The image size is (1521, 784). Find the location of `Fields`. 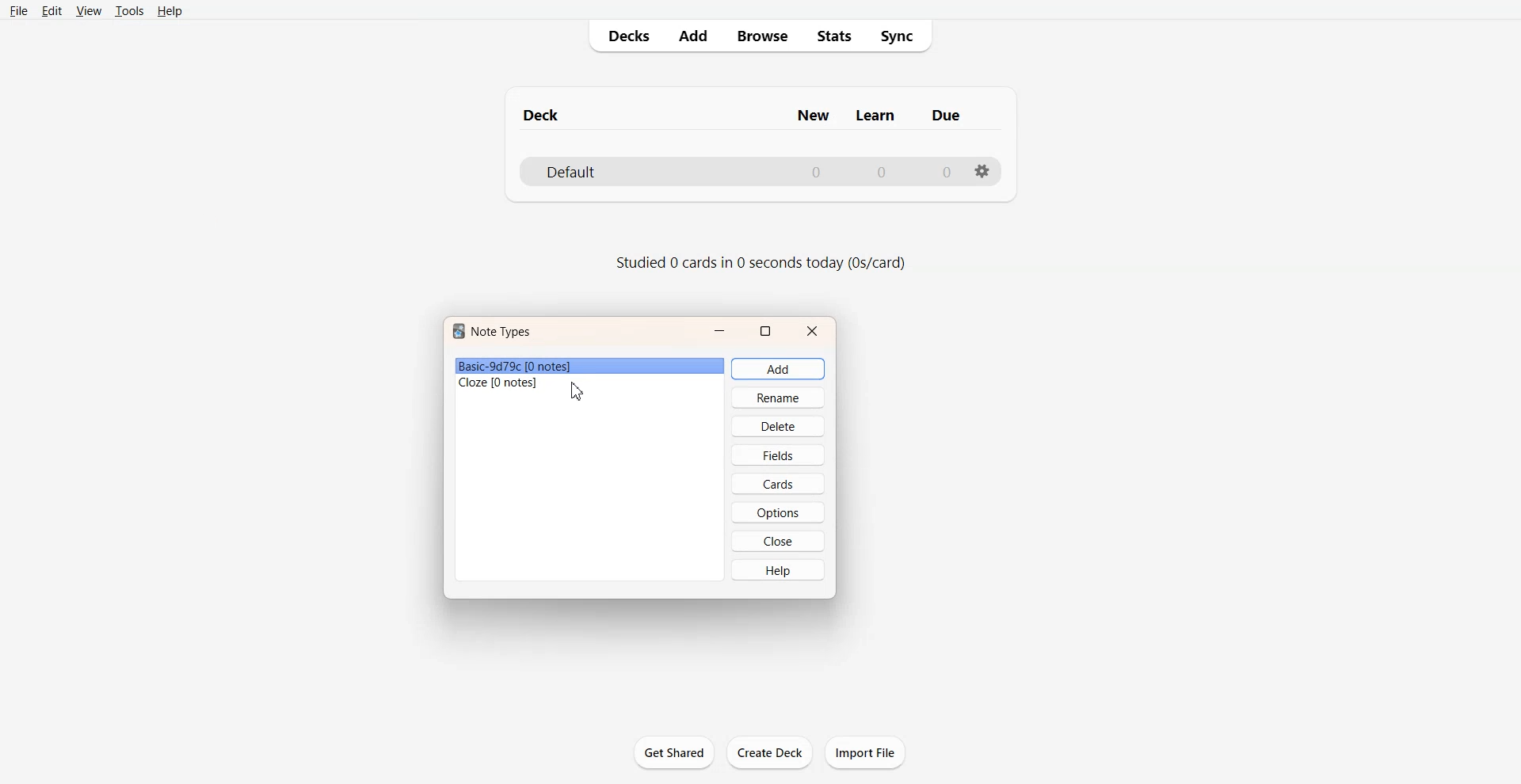

Fields is located at coordinates (778, 455).